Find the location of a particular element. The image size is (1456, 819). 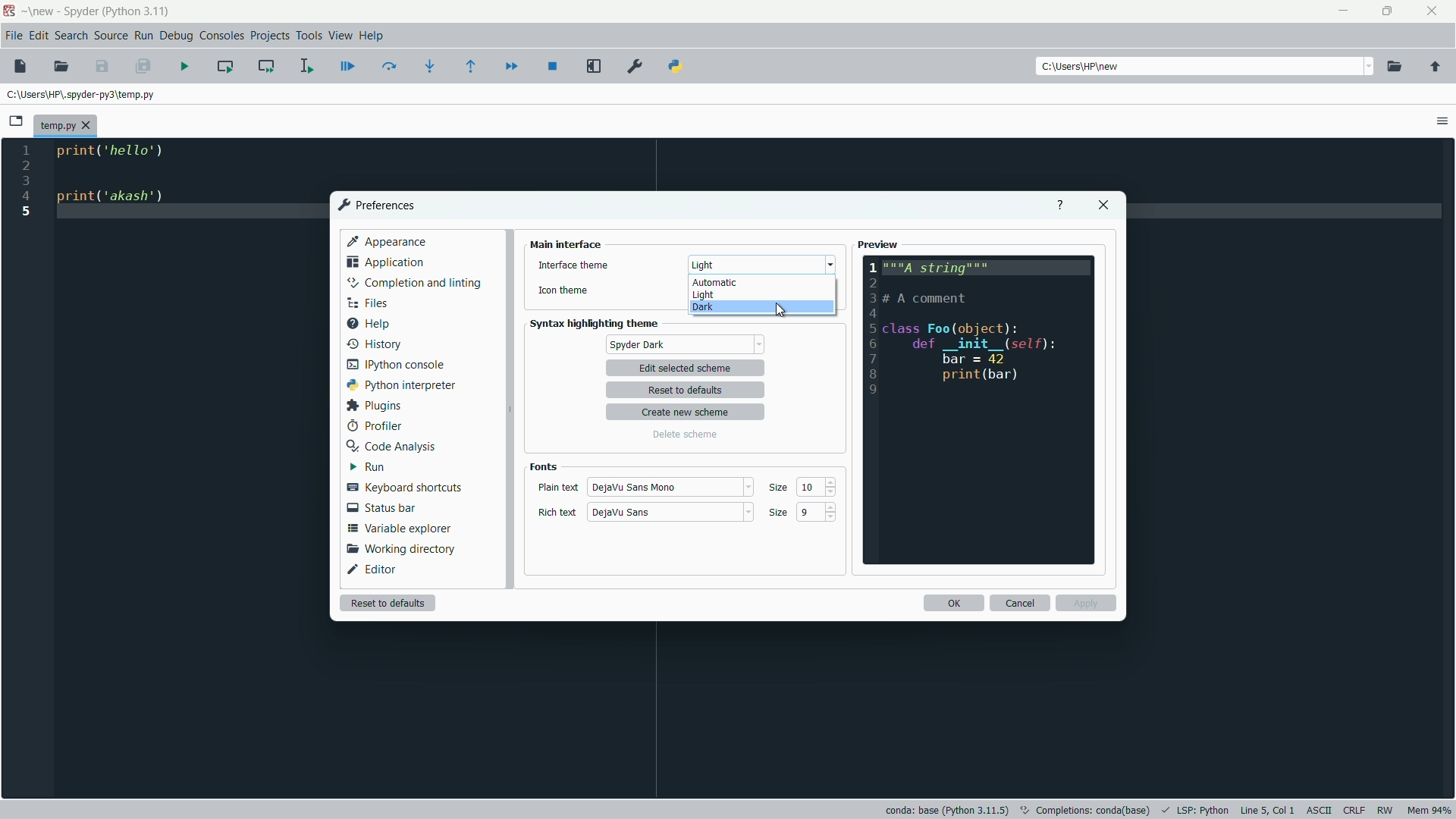

save file is located at coordinates (103, 67).